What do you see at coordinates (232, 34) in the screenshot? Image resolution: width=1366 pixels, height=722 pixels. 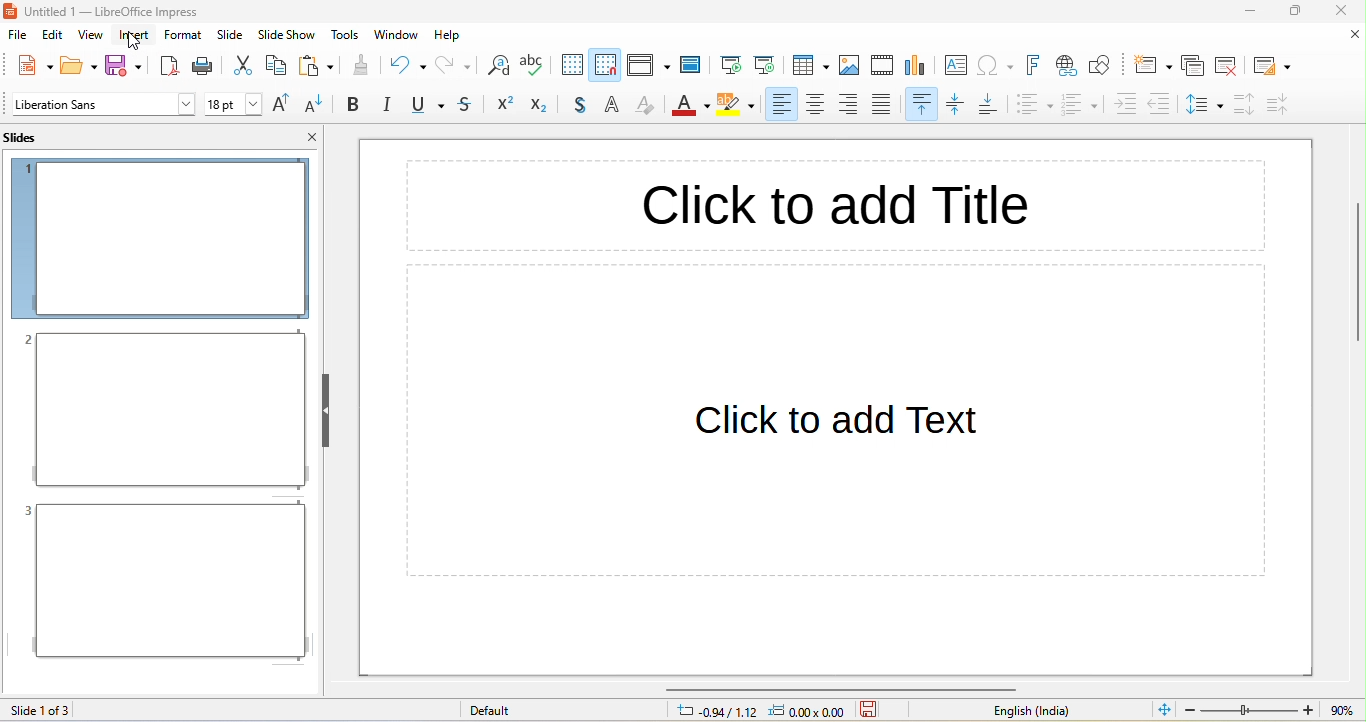 I see `slide` at bounding box center [232, 34].